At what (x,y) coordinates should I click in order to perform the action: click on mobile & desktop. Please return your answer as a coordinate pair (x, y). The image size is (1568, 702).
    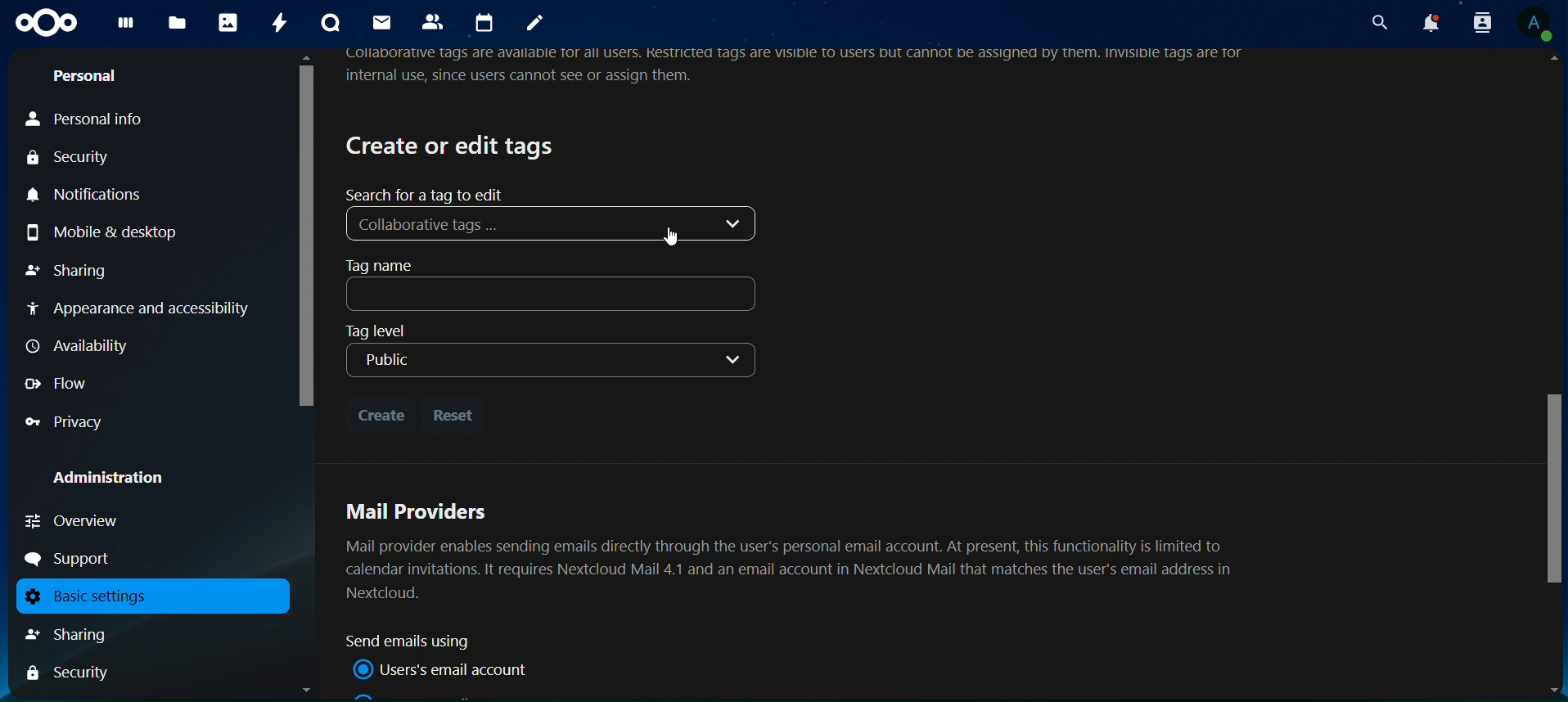
    Looking at the image, I should click on (125, 231).